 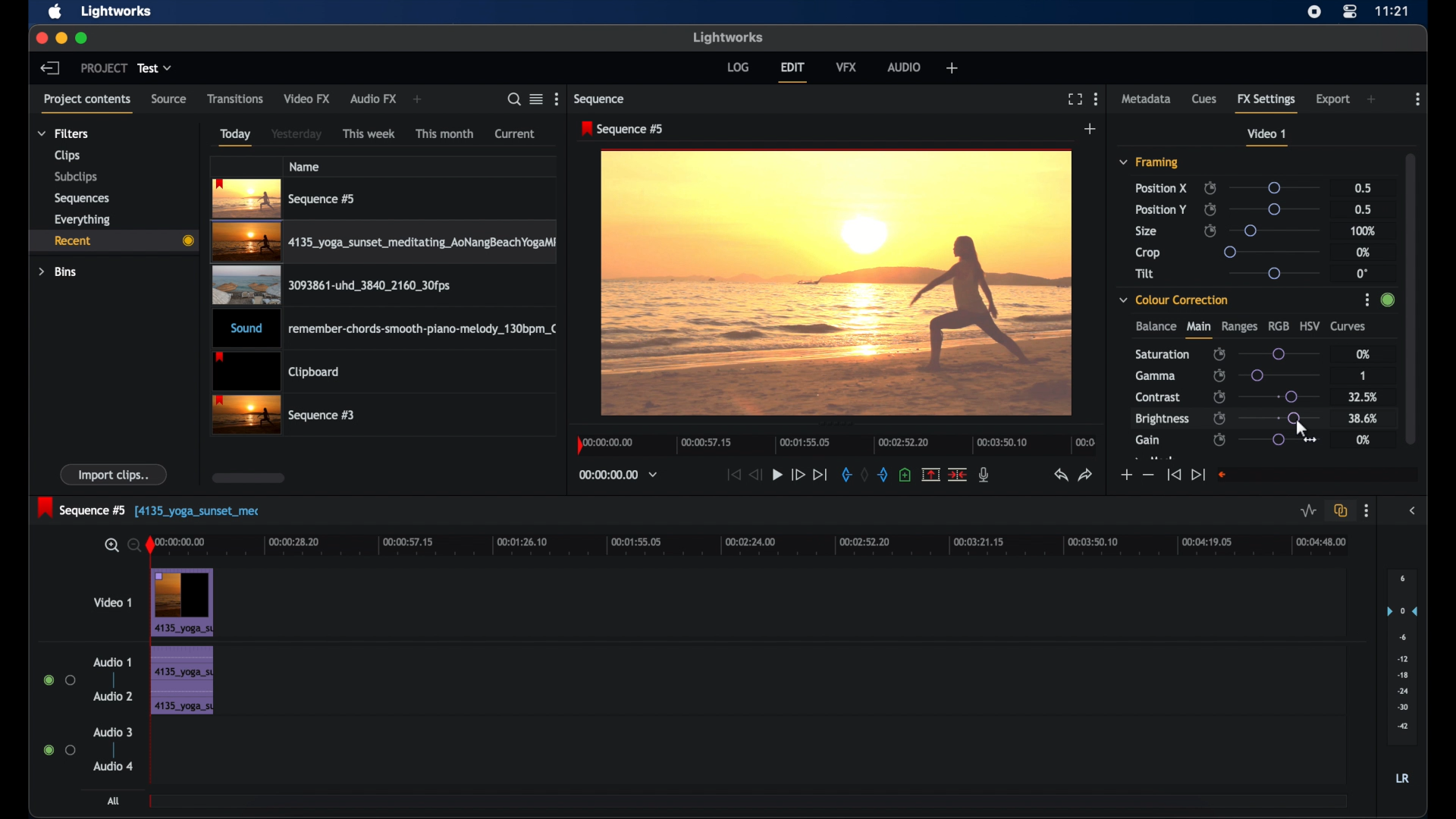 I want to click on sequence 5, so click(x=149, y=509).